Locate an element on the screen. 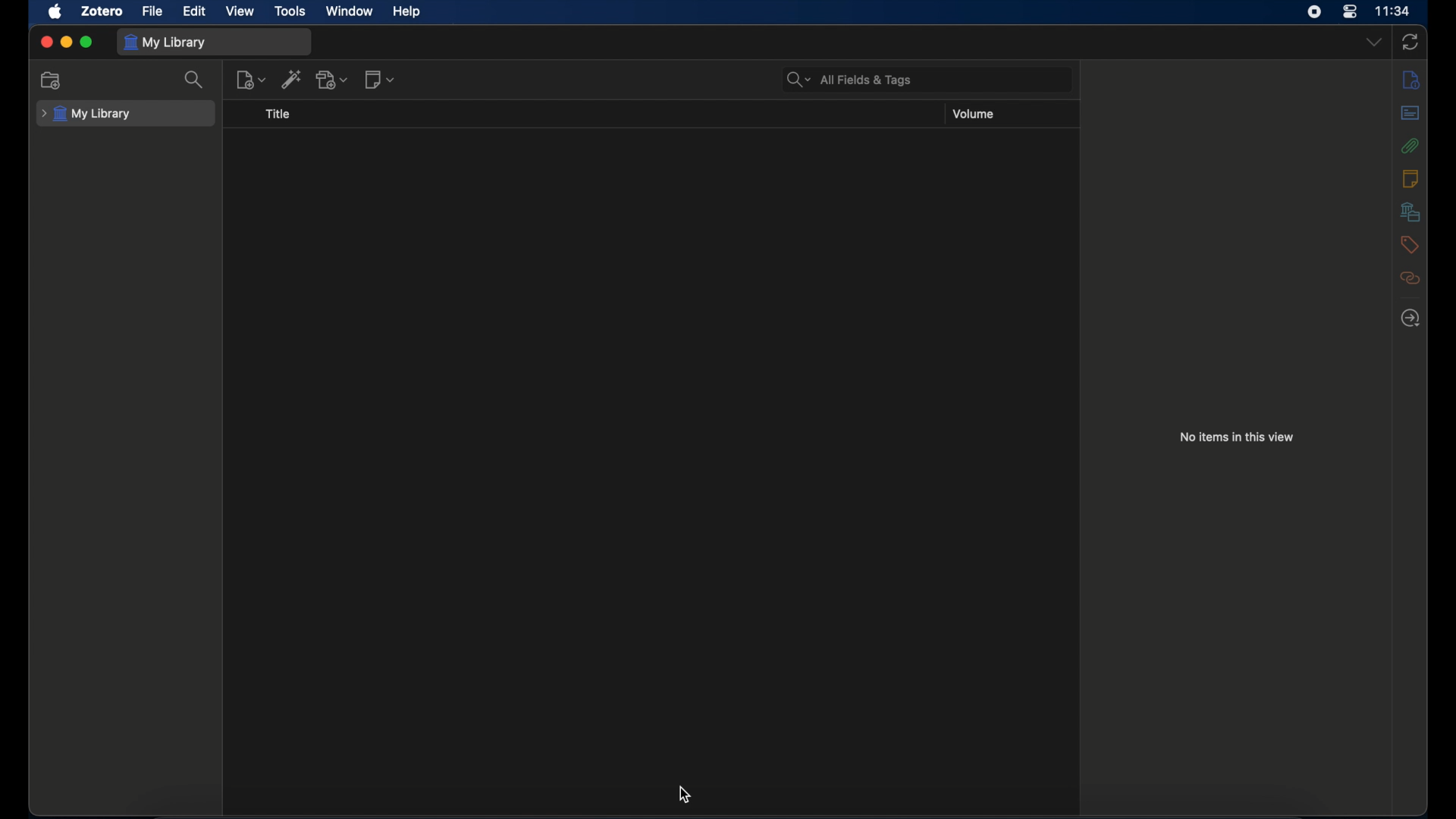 This screenshot has width=1456, height=819. add item by identifier is located at coordinates (293, 79).